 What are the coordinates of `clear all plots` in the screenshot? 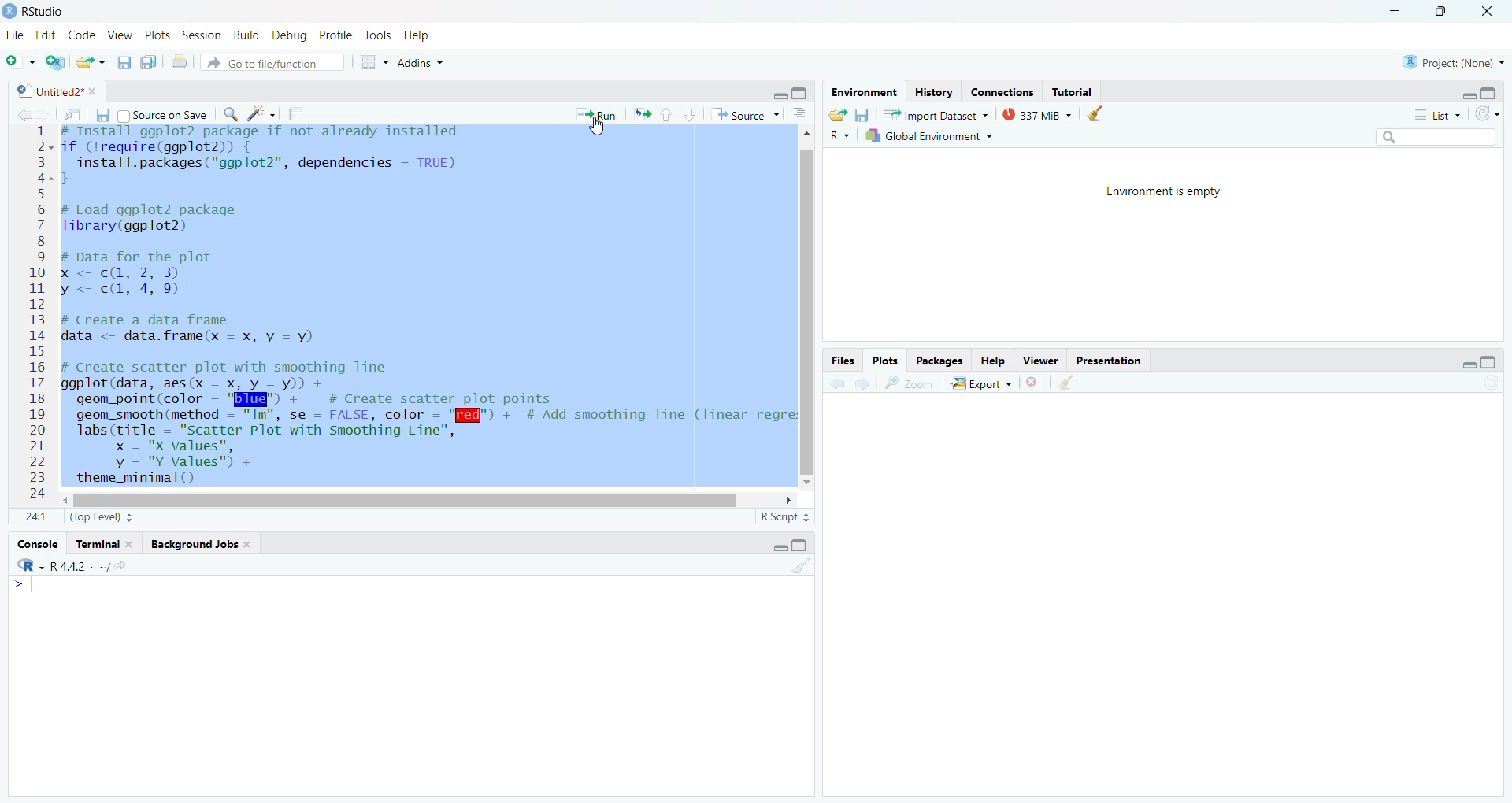 It's located at (1066, 383).